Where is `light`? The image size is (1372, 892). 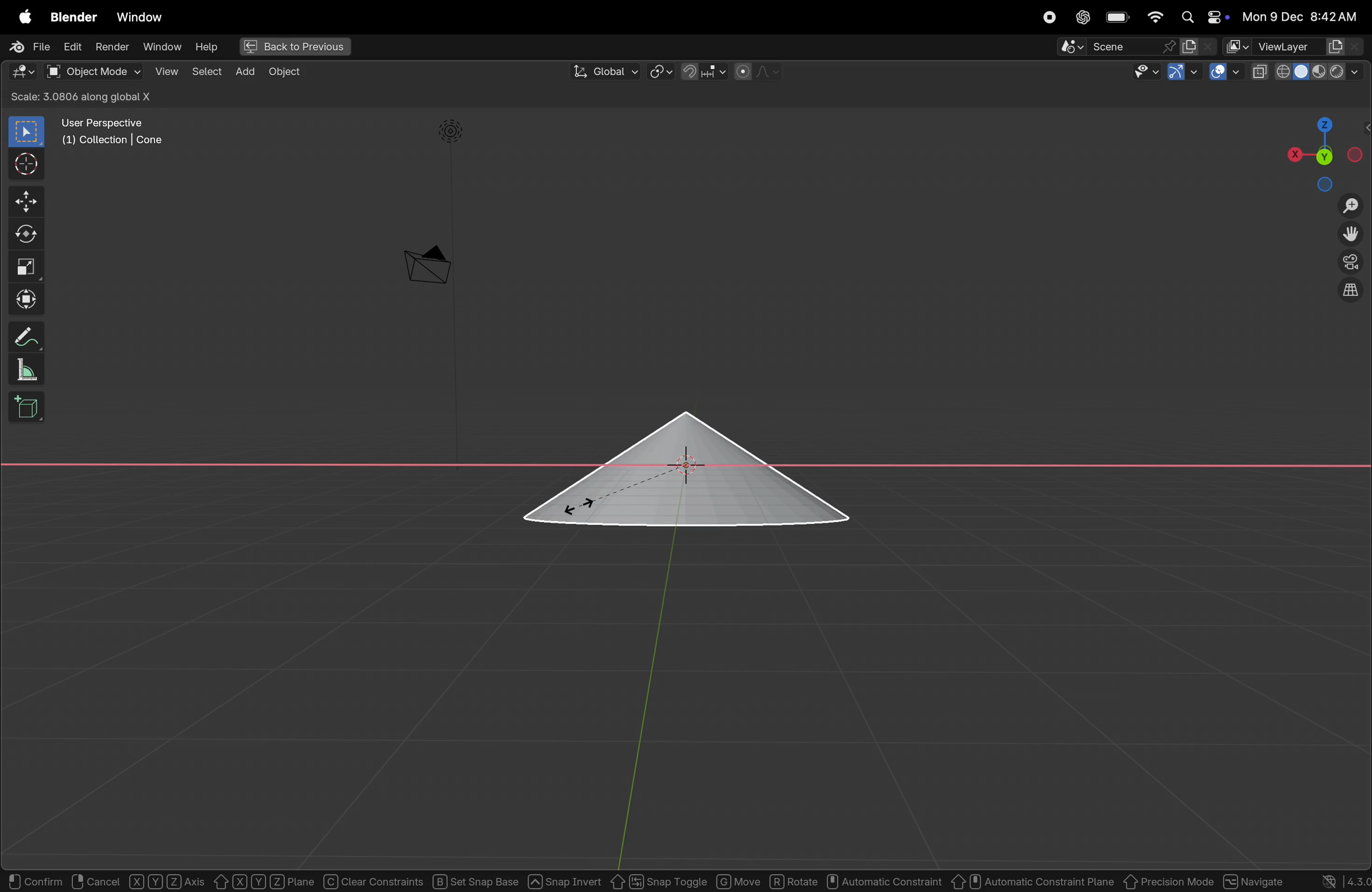 light is located at coordinates (453, 131).